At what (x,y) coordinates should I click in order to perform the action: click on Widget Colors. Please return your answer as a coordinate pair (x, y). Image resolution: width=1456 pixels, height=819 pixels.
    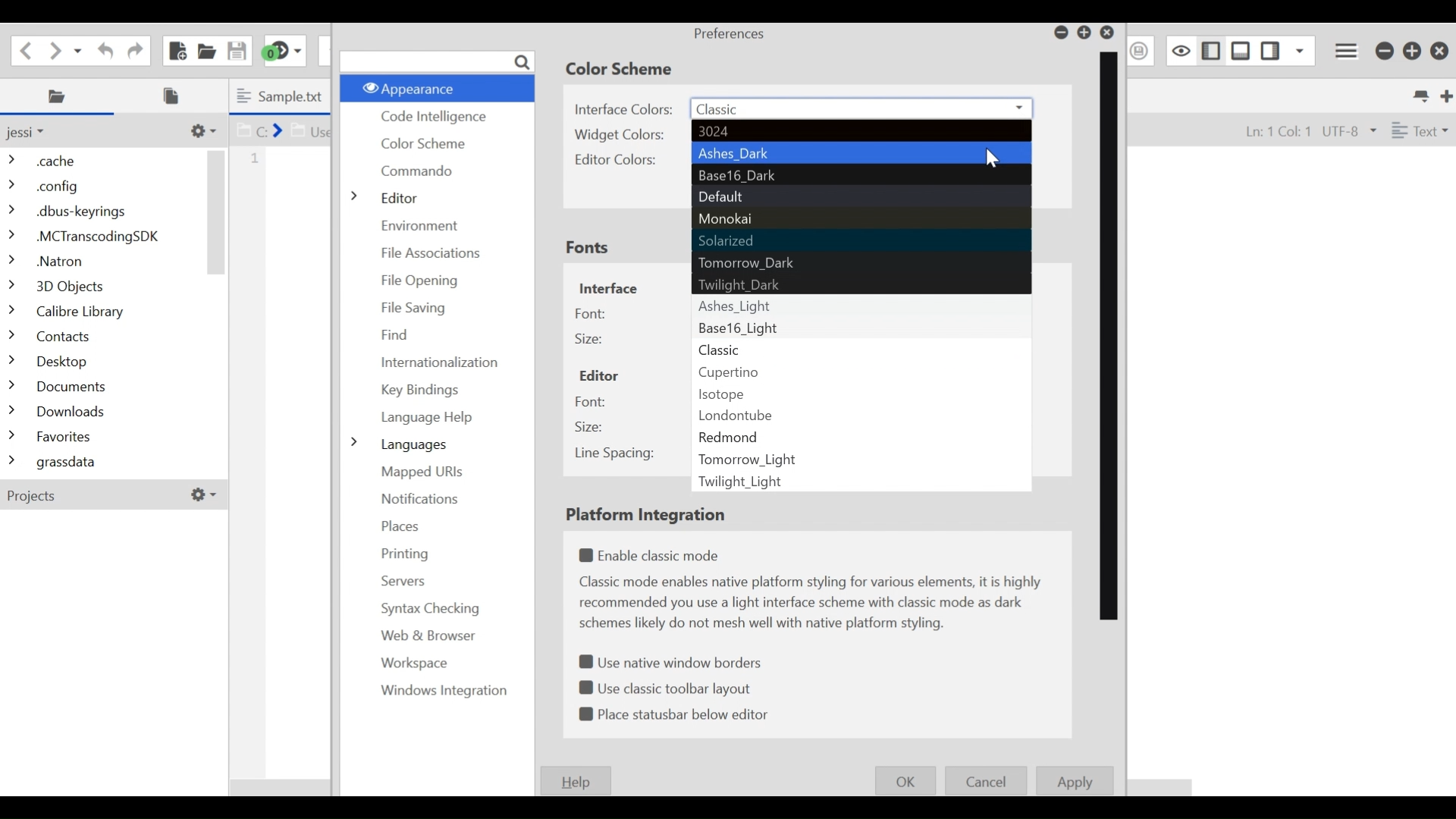
    Looking at the image, I should click on (623, 135).